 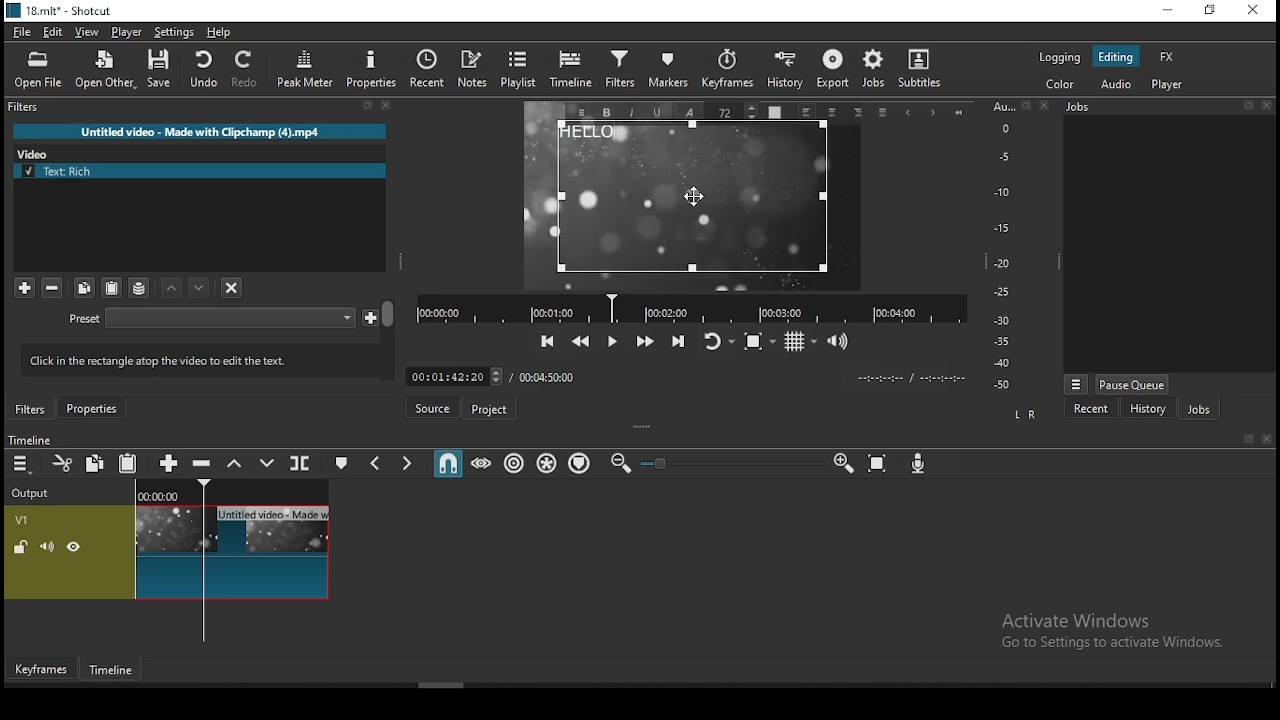 I want to click on Font Style, so click(x=688, y=111).